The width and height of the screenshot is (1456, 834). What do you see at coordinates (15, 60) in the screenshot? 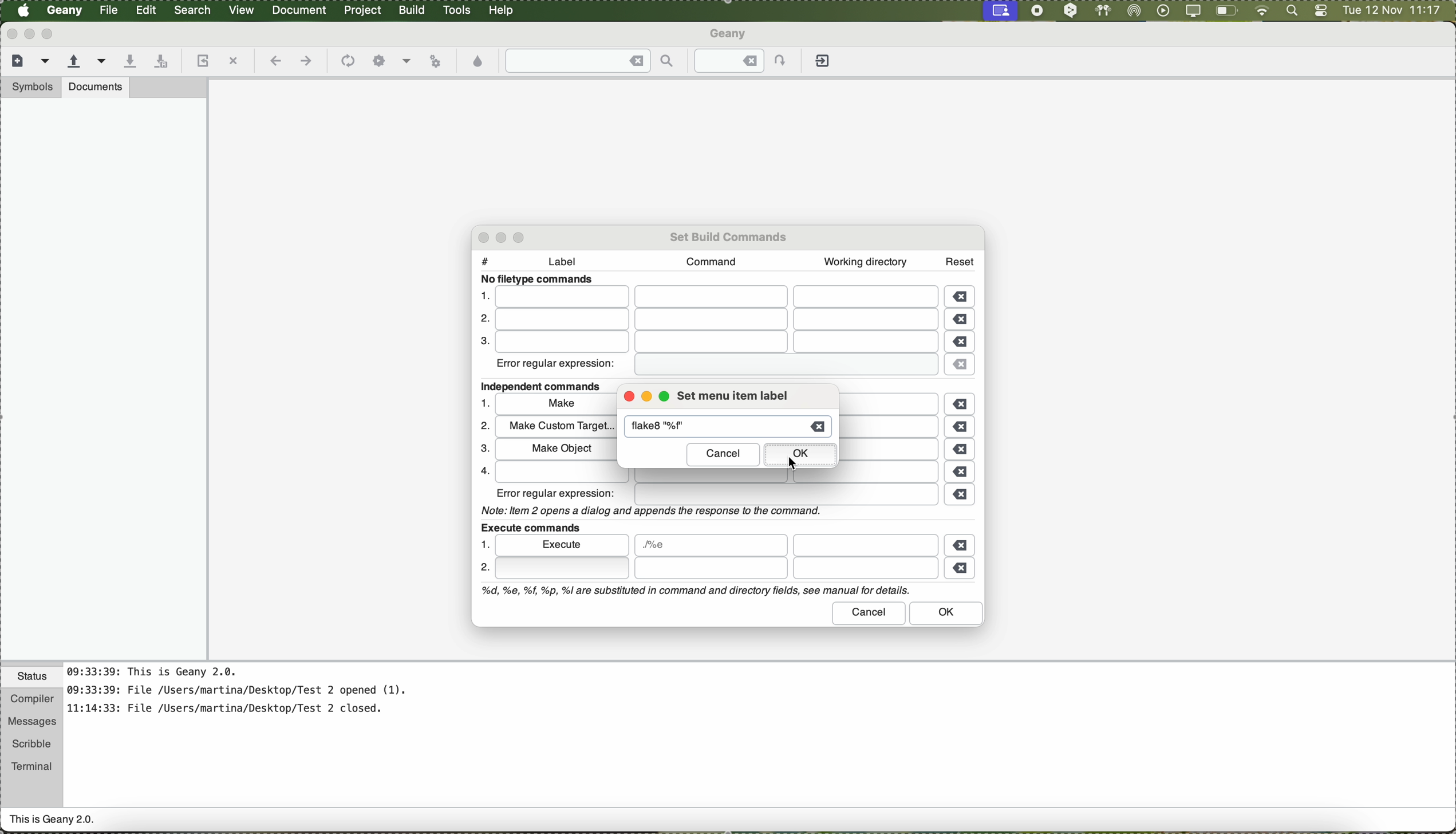
I see `new file` at bounding box center [15, 60].